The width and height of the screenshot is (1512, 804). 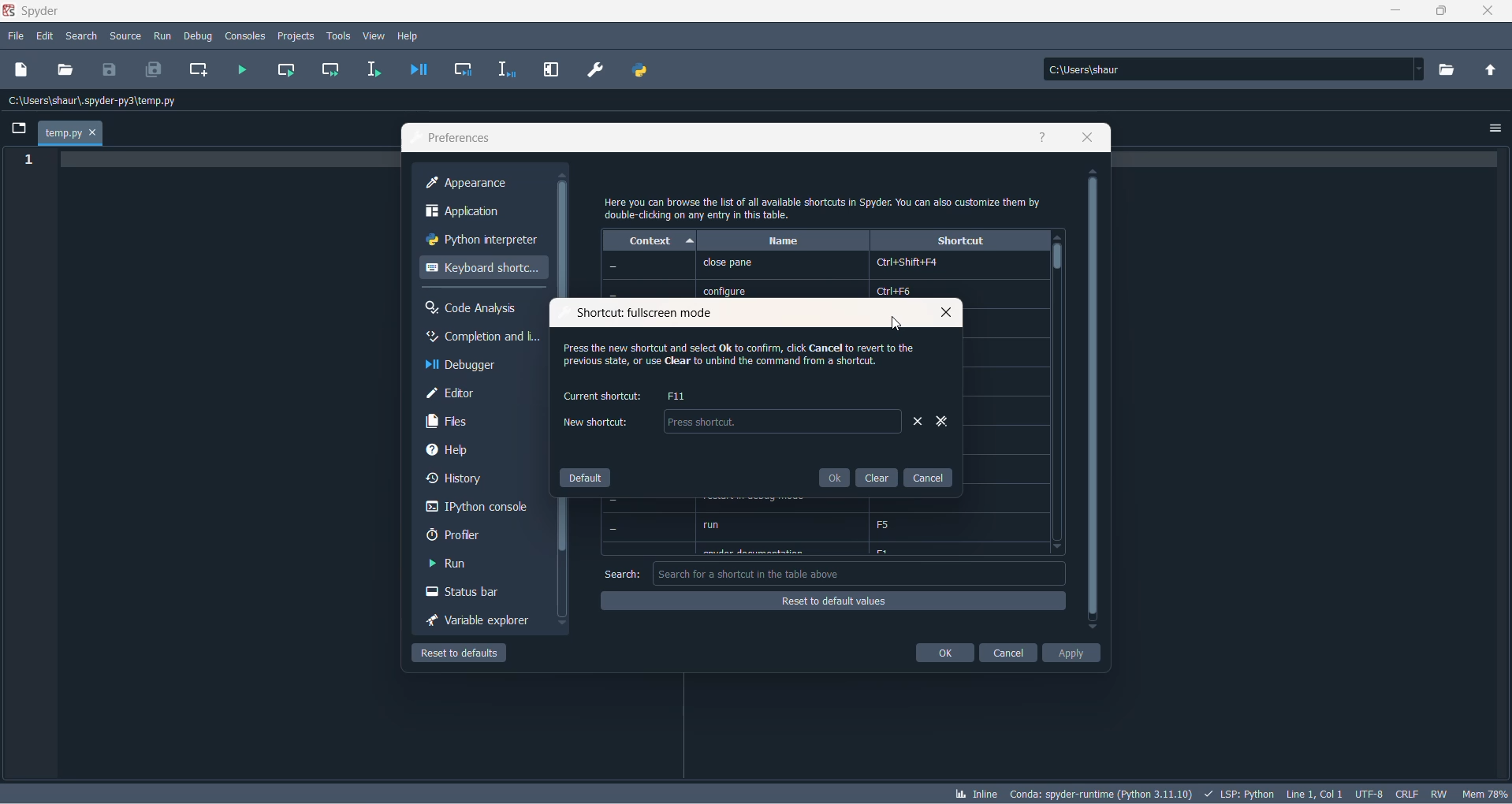 What do you see at coordinates (484, 394) in the screenshot?
I see `editor` at bounding box center [484, 394].